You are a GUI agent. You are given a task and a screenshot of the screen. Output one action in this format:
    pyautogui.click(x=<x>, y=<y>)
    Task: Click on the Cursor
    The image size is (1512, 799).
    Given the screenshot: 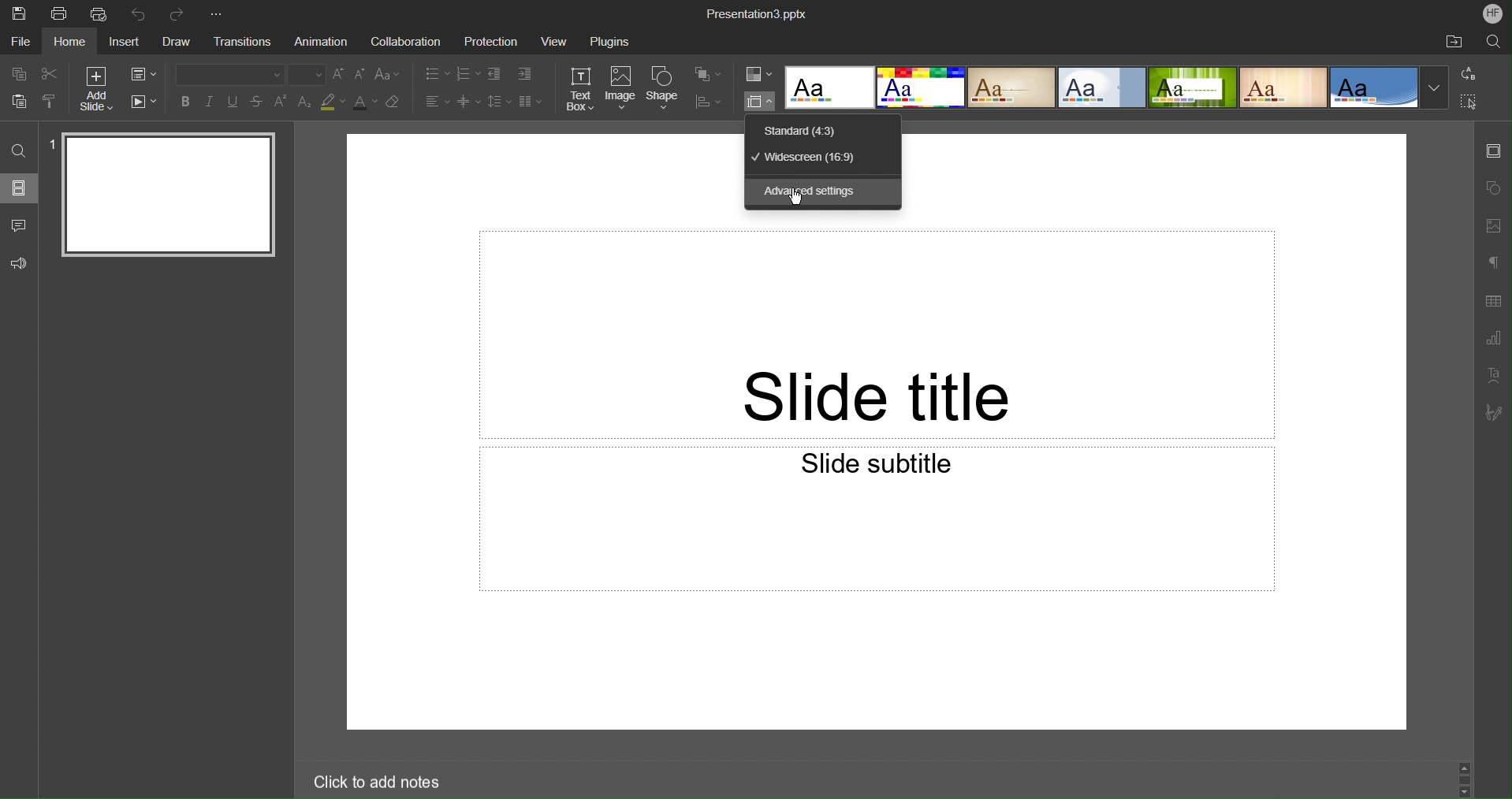 What is the action you would take?
    pyautogui.click(x=799, y=203)
    